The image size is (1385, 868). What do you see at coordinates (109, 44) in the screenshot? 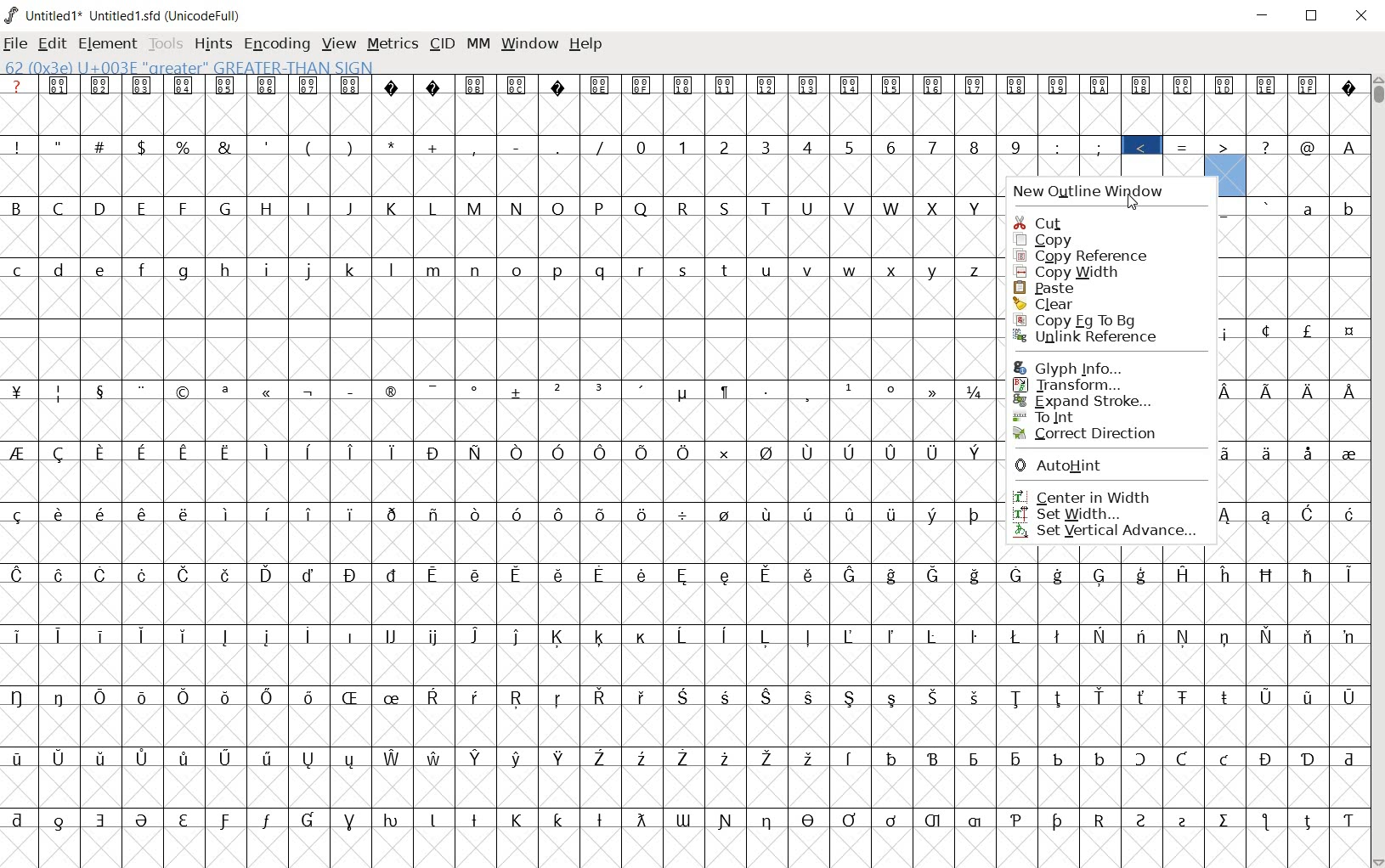
I see `element` at bounding box center [109, 44].